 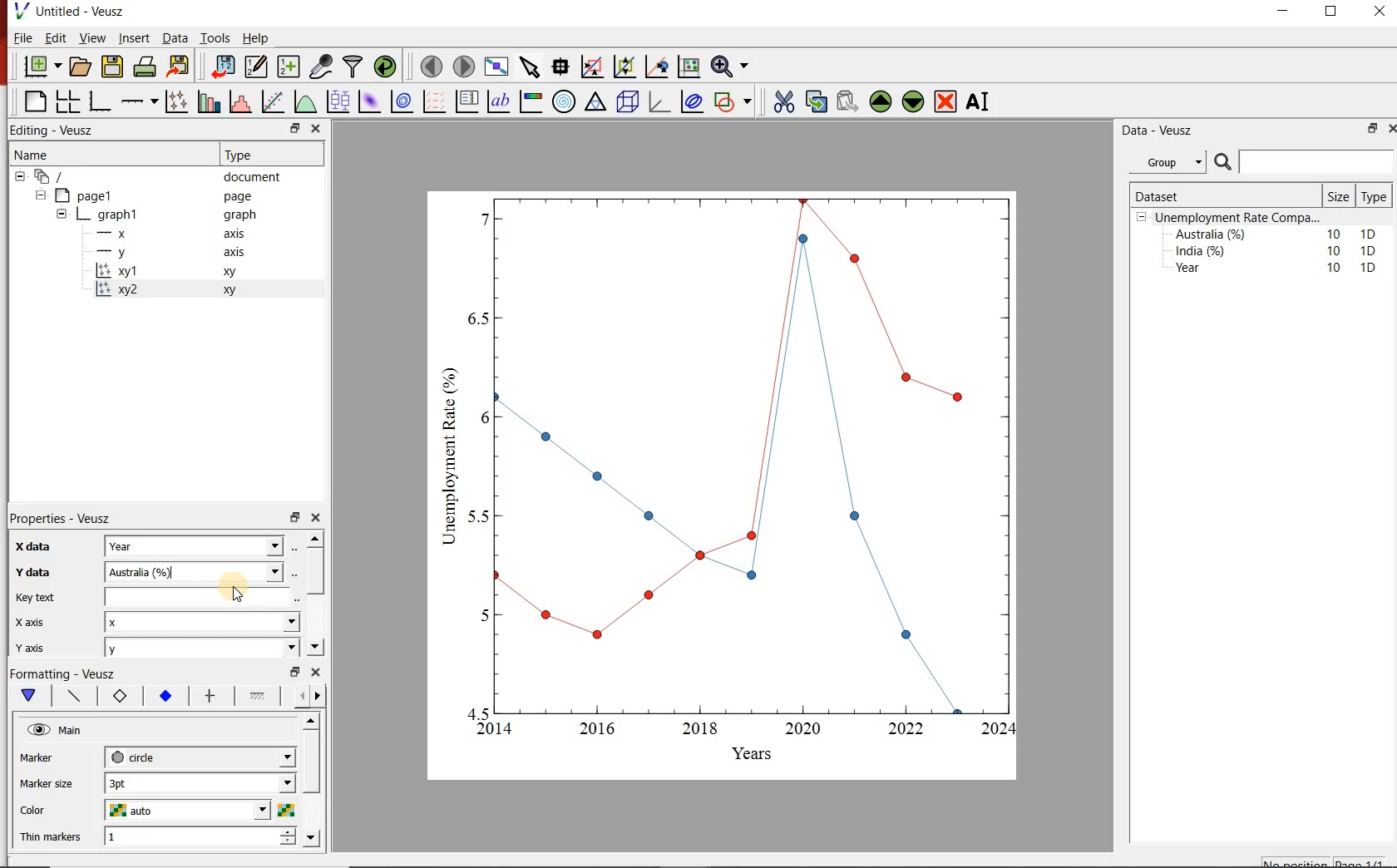 I want to click on Editing - Veusz, so click(x=55, y=129).